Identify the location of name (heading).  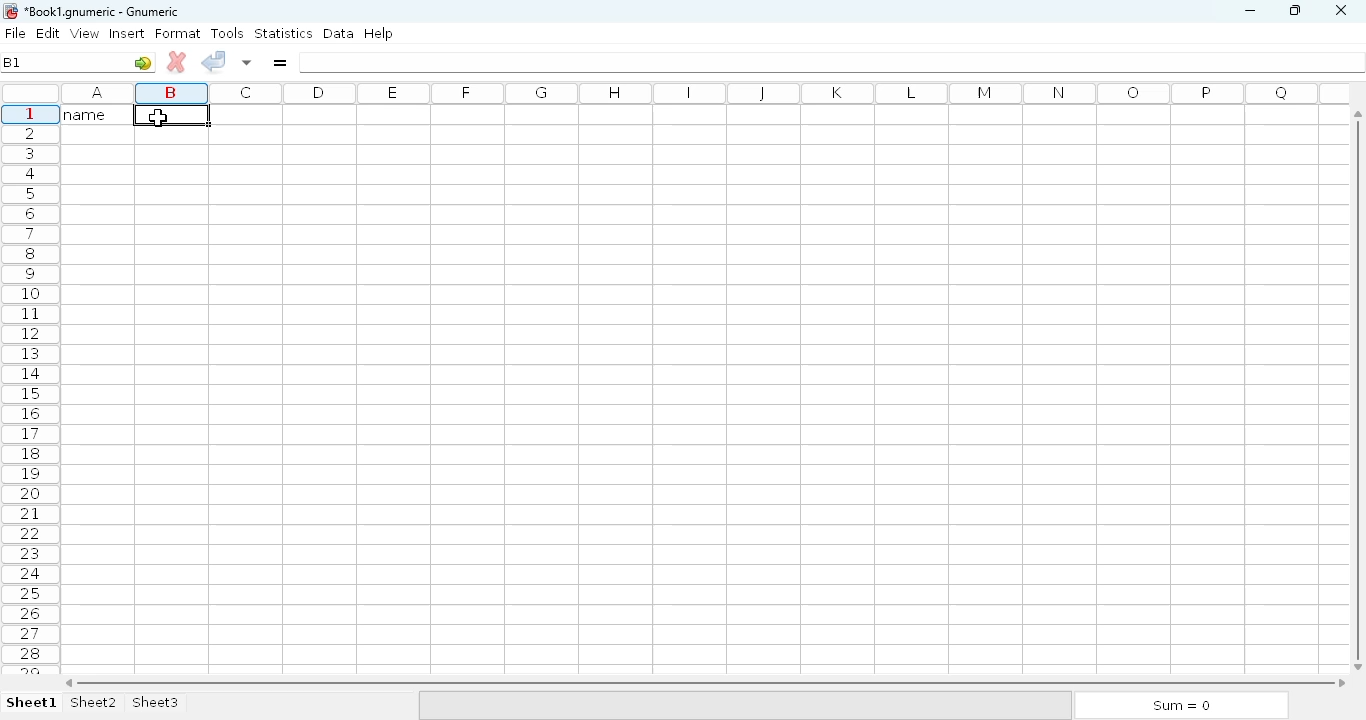
(91, 114).